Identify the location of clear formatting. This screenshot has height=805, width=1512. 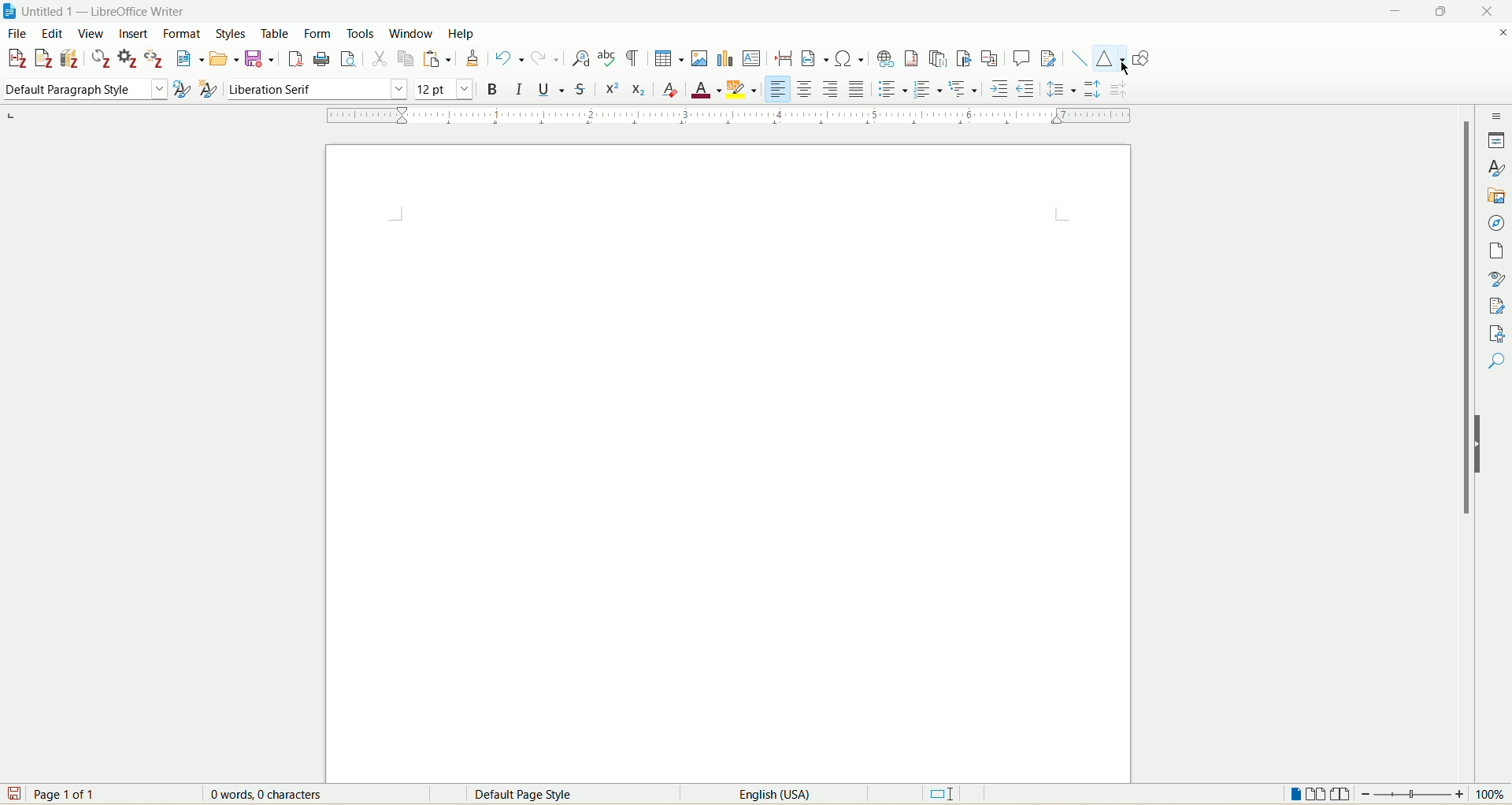
(671, 90).